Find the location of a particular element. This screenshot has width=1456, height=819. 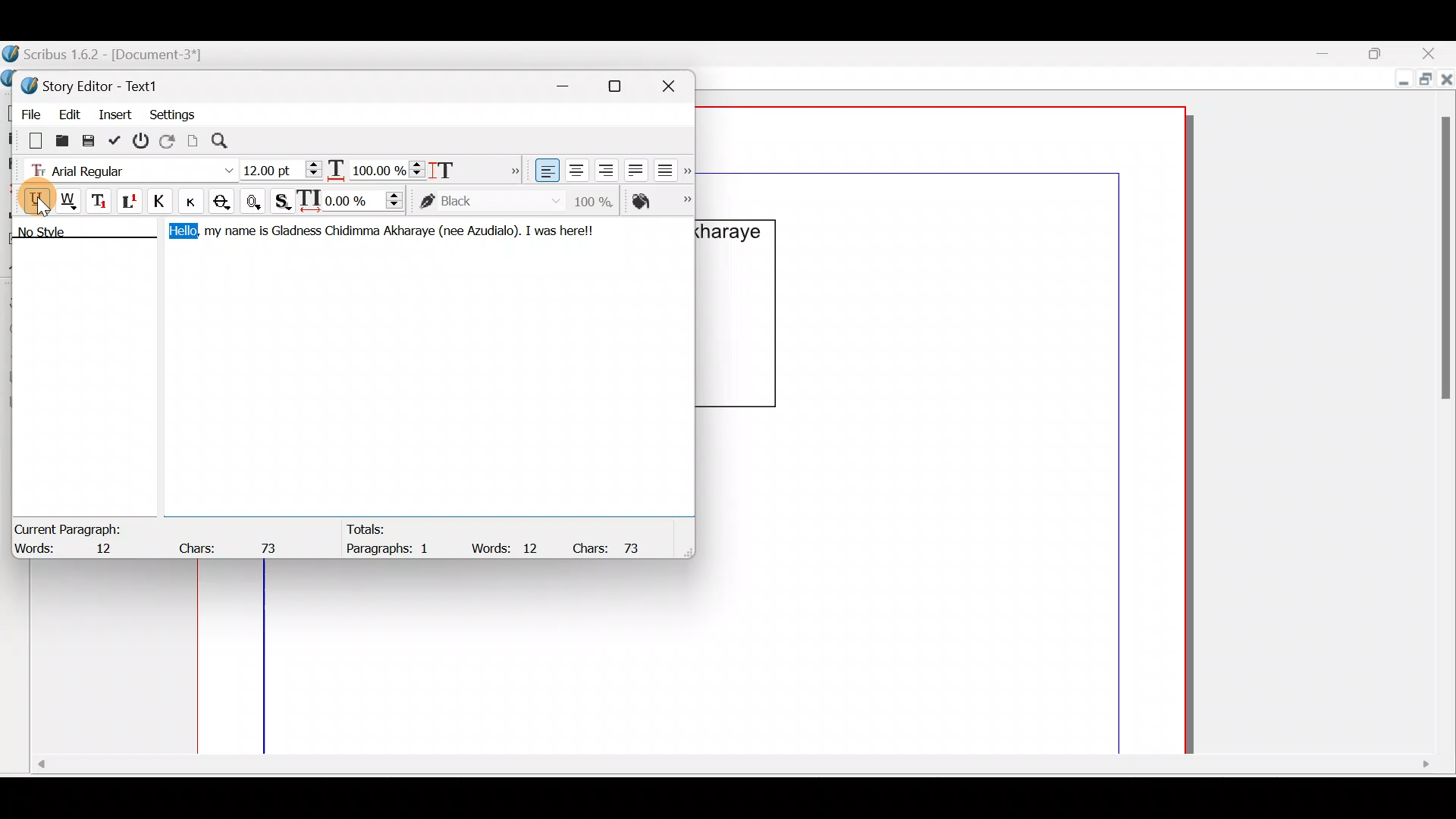

Maximize is located at coordinates (624, 86).